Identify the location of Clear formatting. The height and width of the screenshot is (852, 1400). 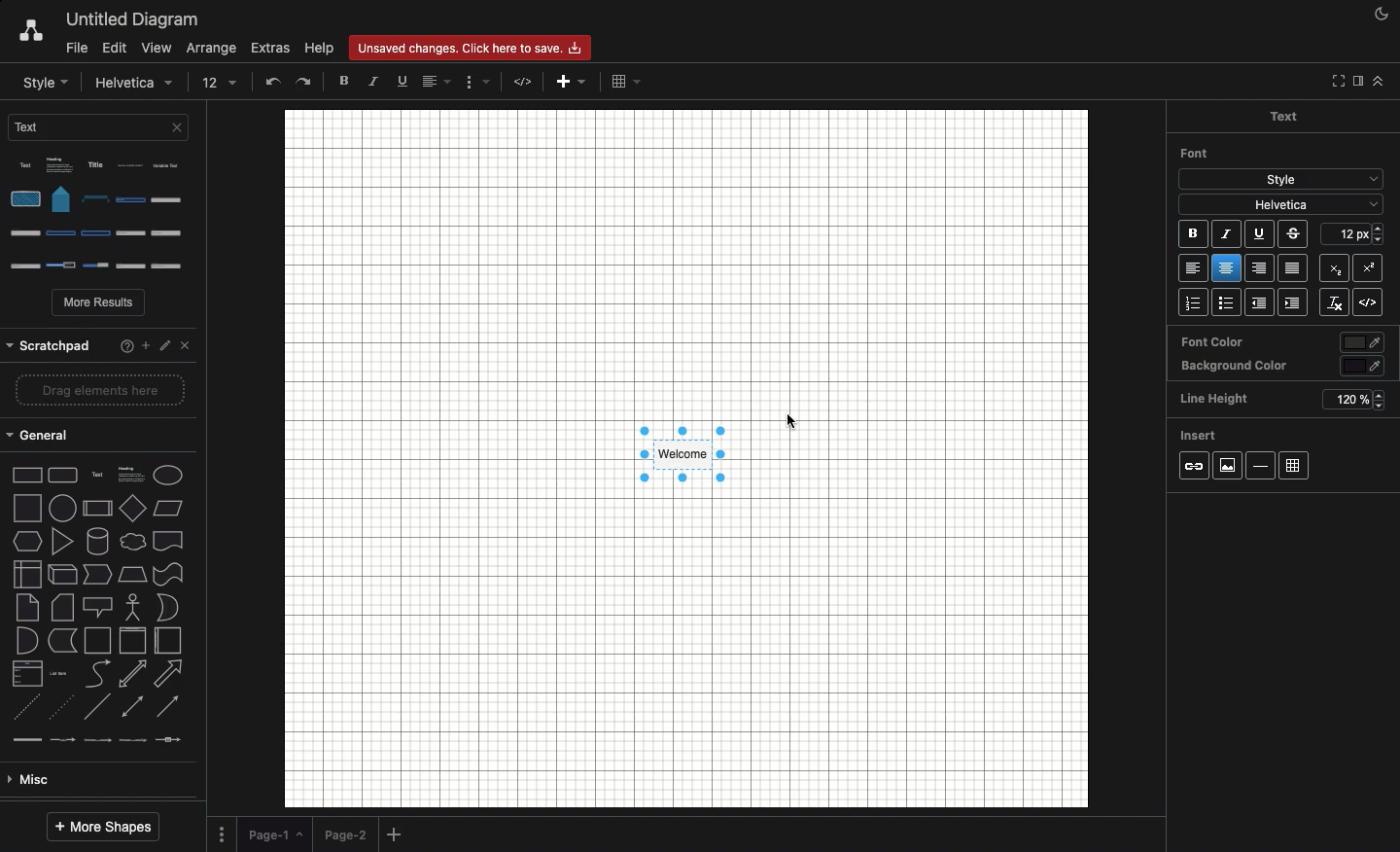
(1331, 302).